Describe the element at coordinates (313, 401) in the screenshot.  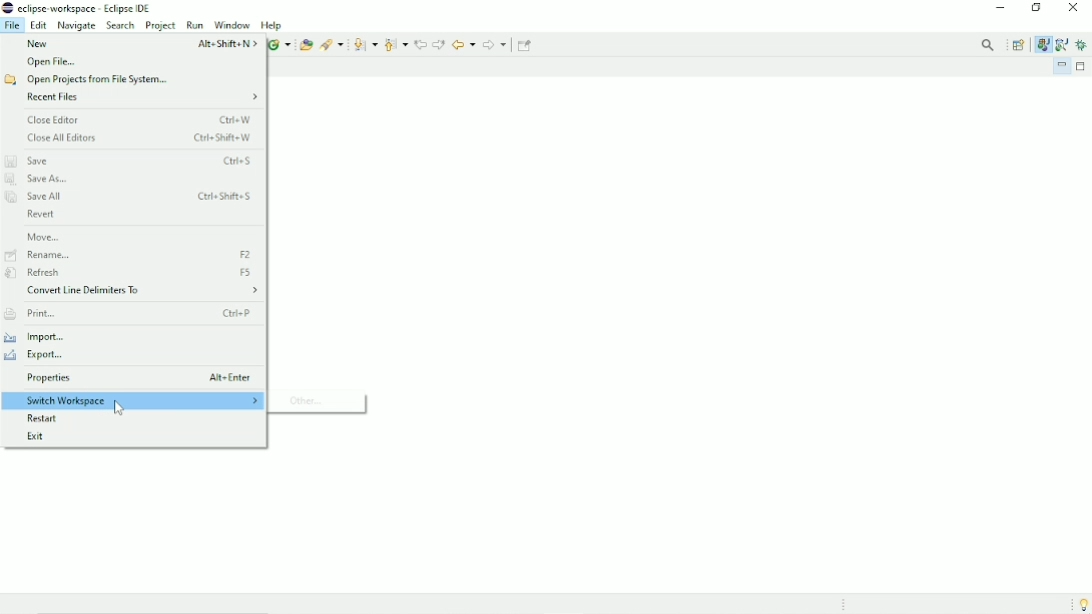
I see `Other` at that location.